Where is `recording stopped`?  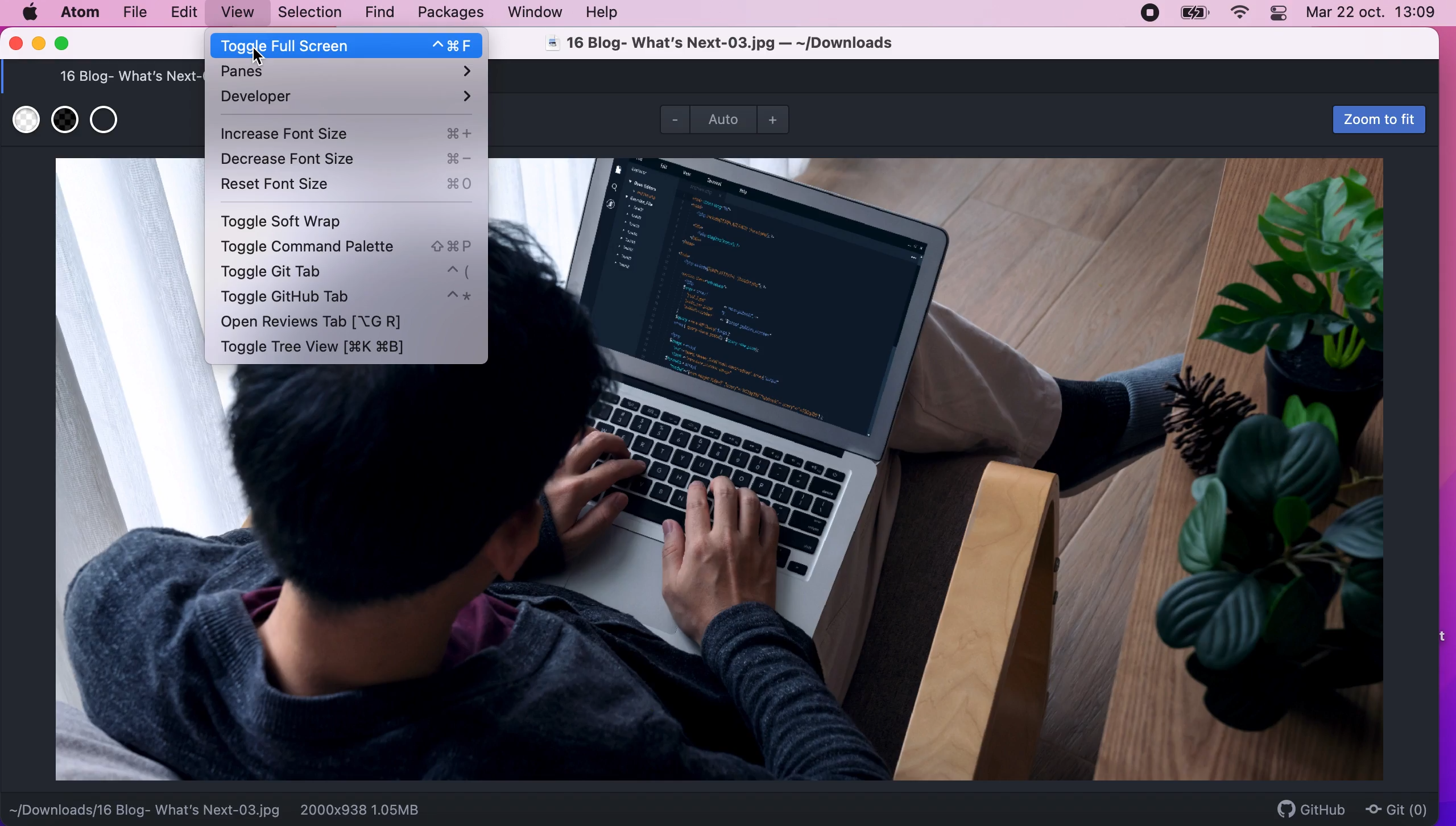 recording stopped is located at coordinates (1148, 13).